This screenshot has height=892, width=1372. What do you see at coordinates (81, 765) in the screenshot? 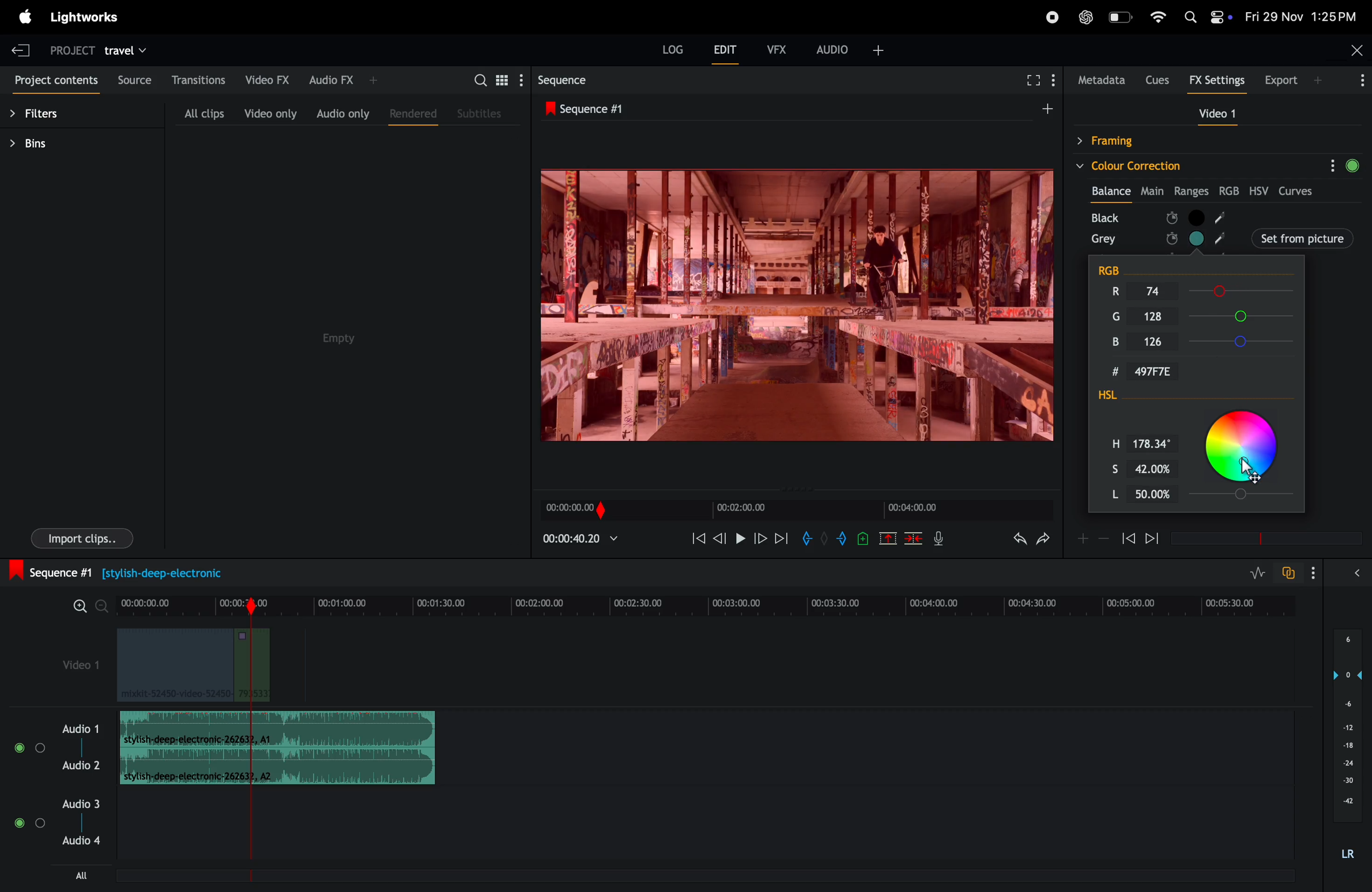
I see `Audio 2` at bounding box center [81, 765].